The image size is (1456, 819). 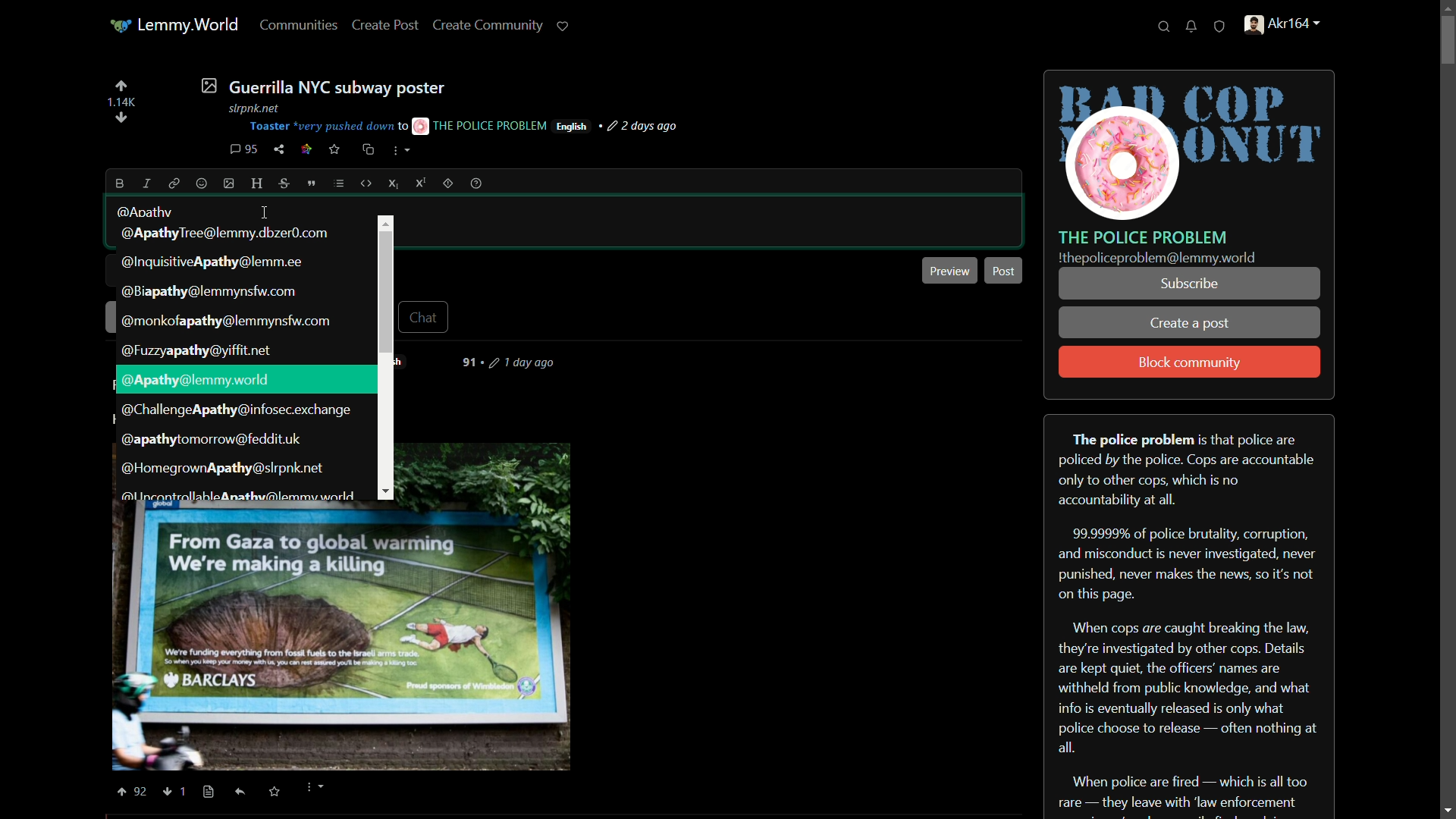 What do you see at coordinates (250, 106) in the screenshot?
I see `stpnk net` at bounding box center [250, 106].